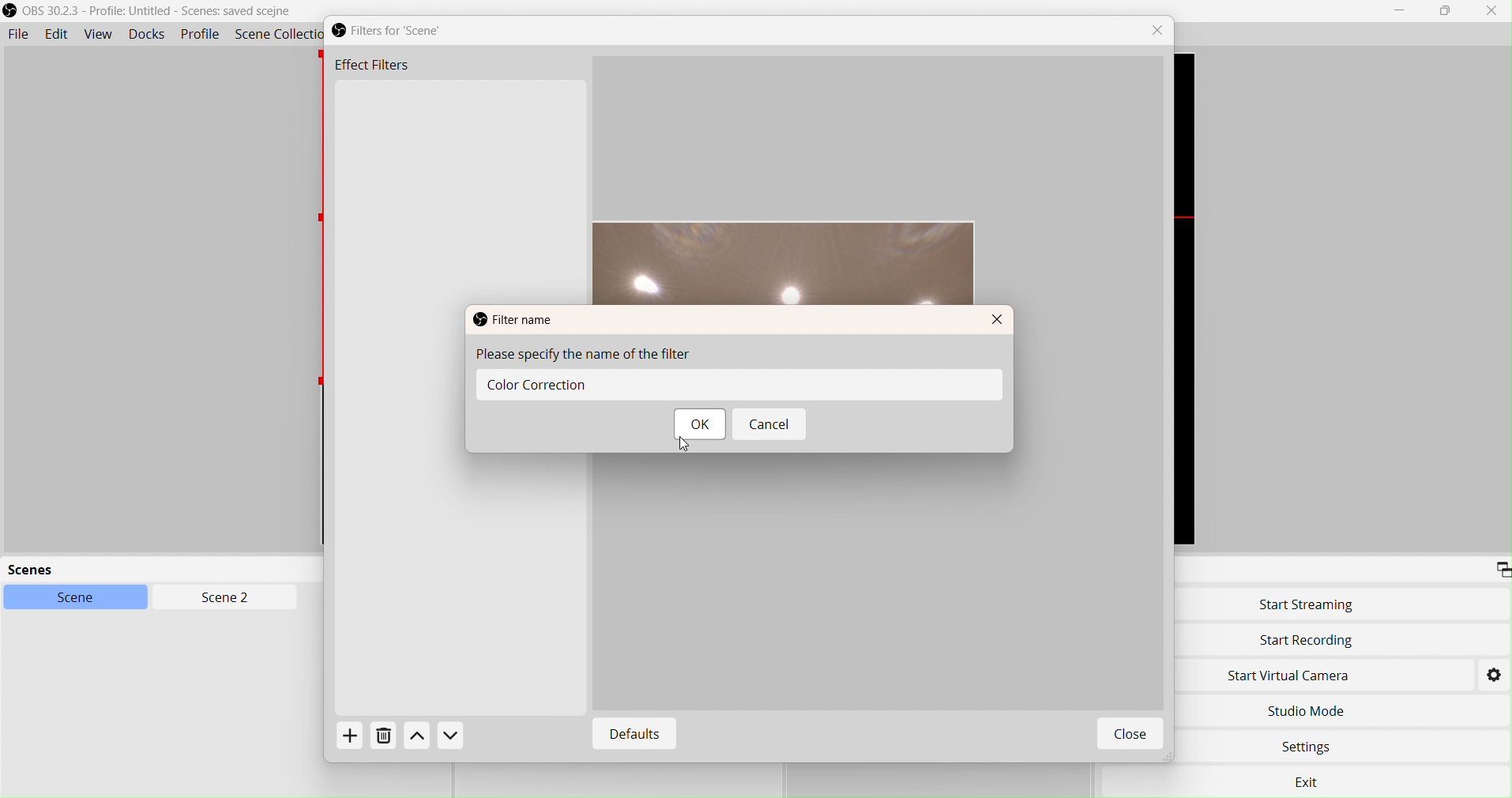 This screenshot has width=1512, height=798. What do you see at coordinates (371, 67) in the screenshot?
I see `Effect Filters` at bounding box center [371, 67].